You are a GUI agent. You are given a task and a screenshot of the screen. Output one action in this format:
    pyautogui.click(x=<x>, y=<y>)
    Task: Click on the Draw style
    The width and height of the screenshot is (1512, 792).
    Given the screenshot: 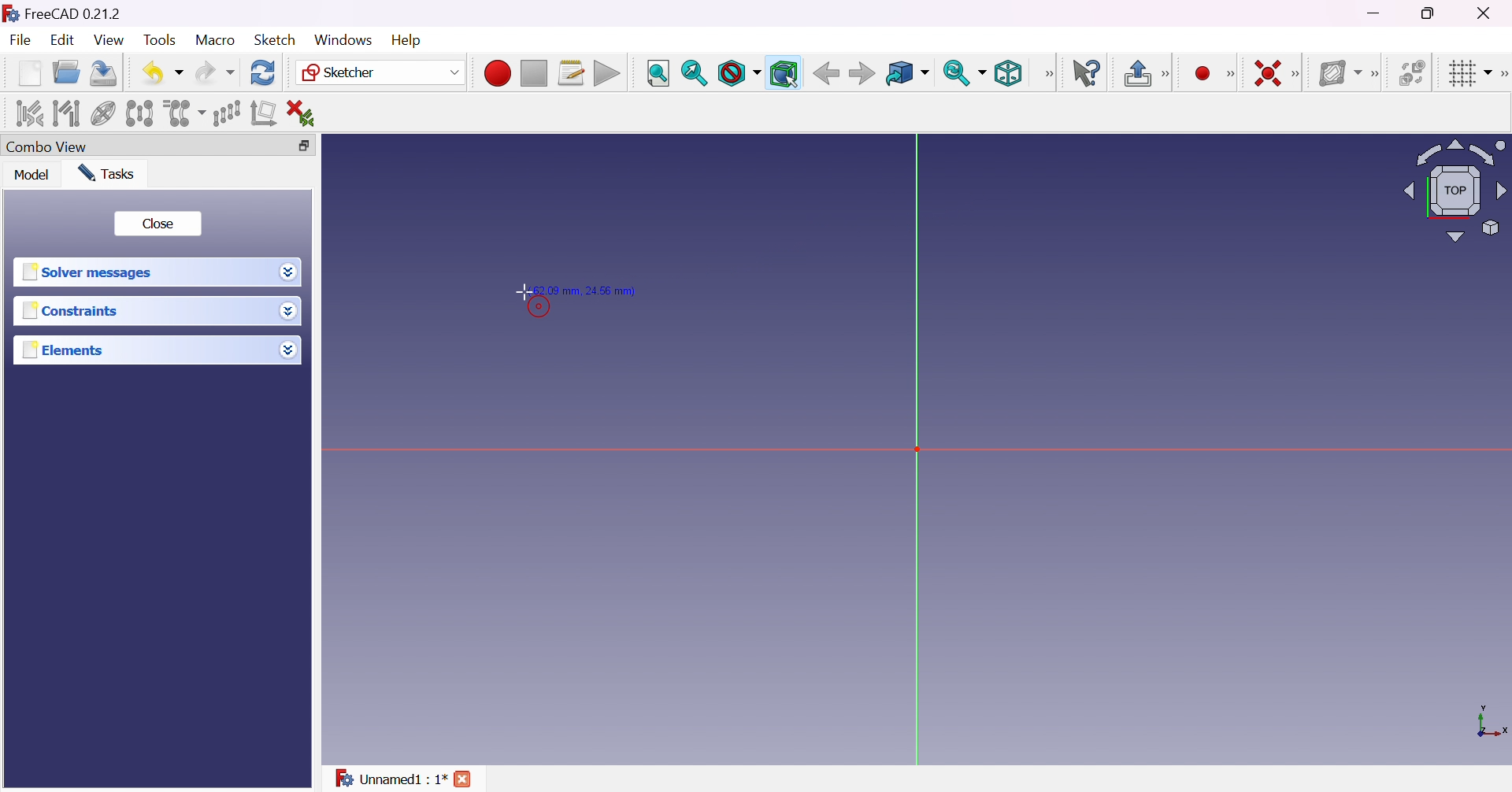 What is the action you would take?
    pyautogui.click(x=739, y=74)
    